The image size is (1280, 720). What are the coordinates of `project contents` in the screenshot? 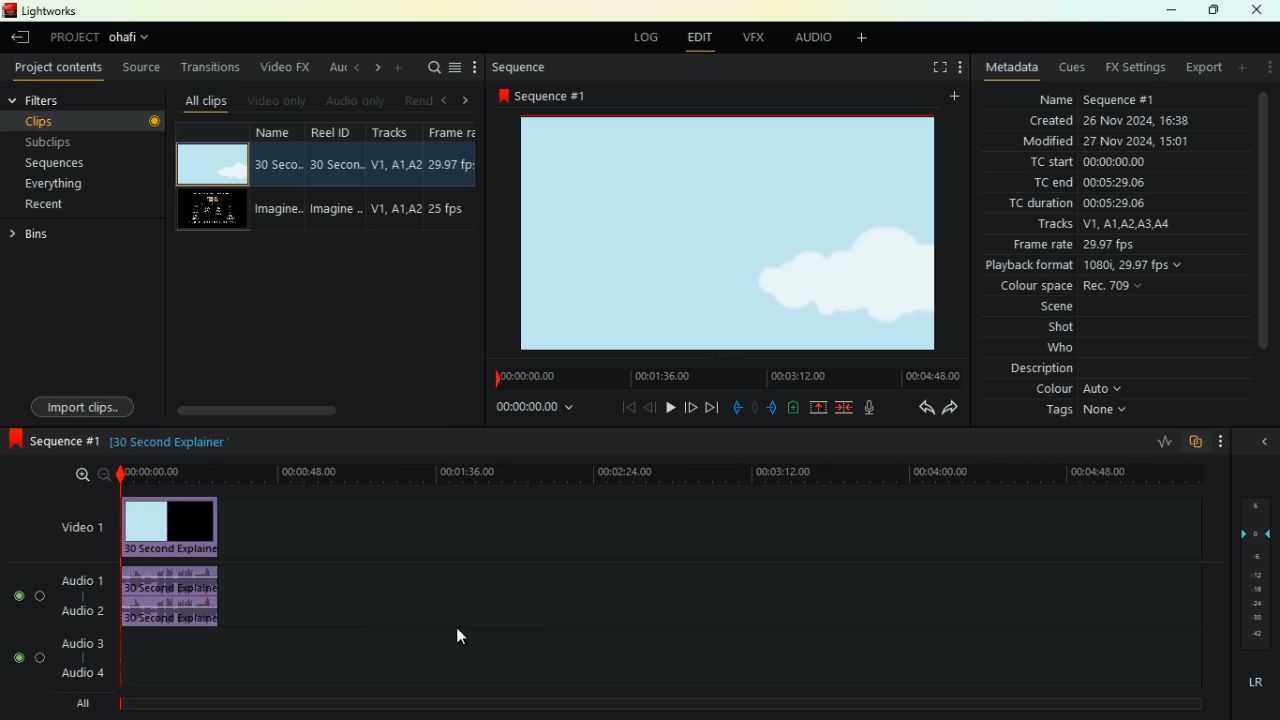 It's located at (59, 68).